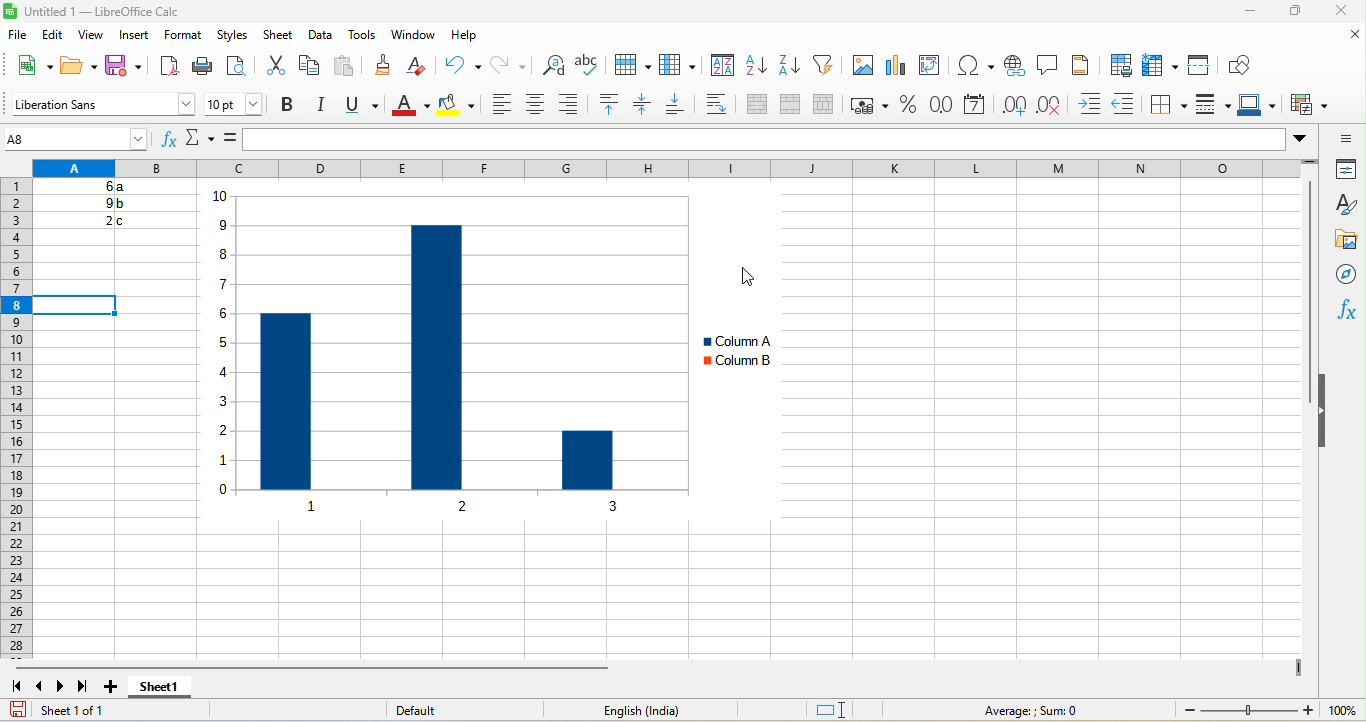  I want to click on window, so click(410, 35).